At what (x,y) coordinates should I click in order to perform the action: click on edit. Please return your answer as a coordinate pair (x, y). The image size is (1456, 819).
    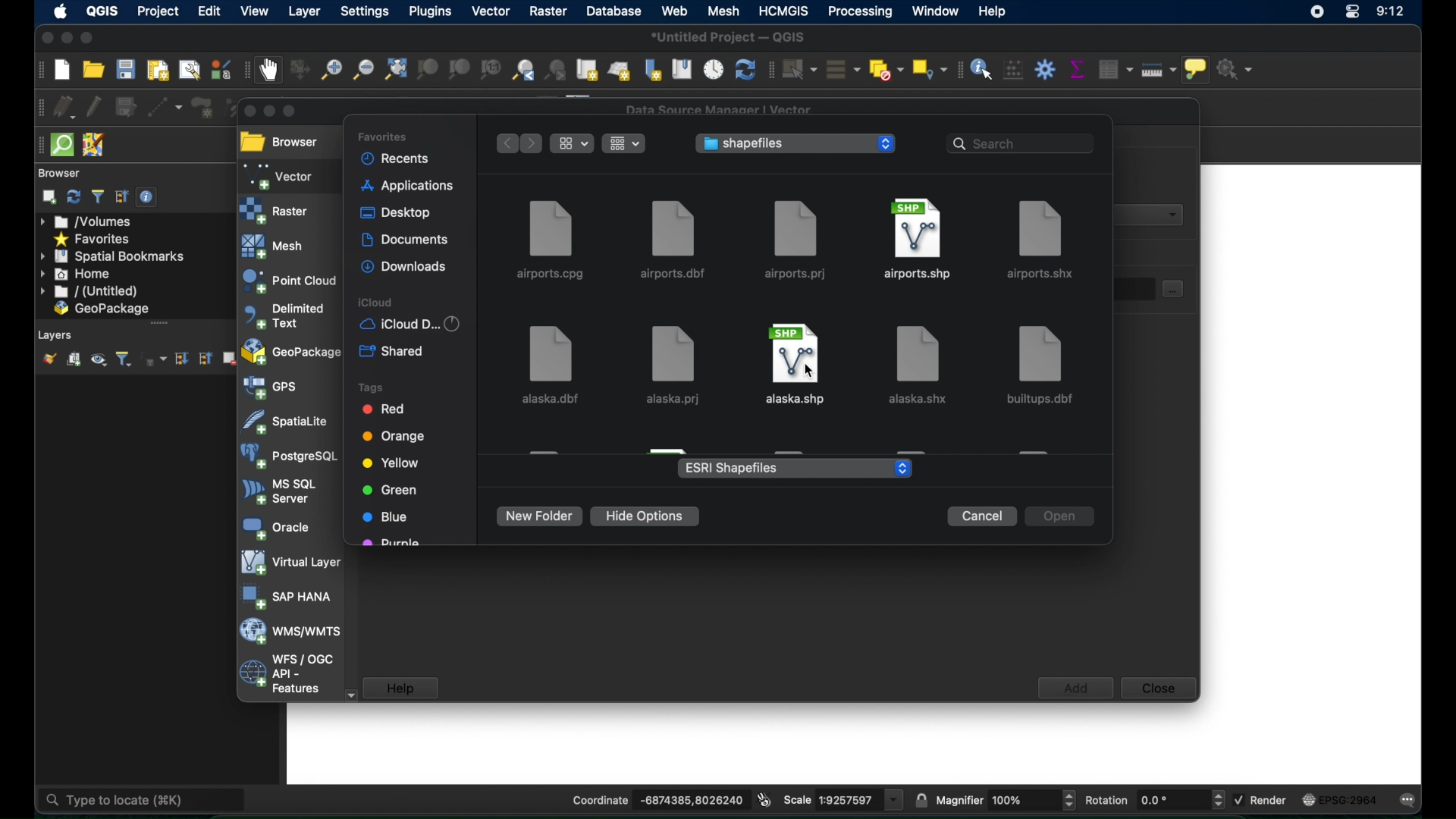
    Looking at the image, I should click on (210, 11).